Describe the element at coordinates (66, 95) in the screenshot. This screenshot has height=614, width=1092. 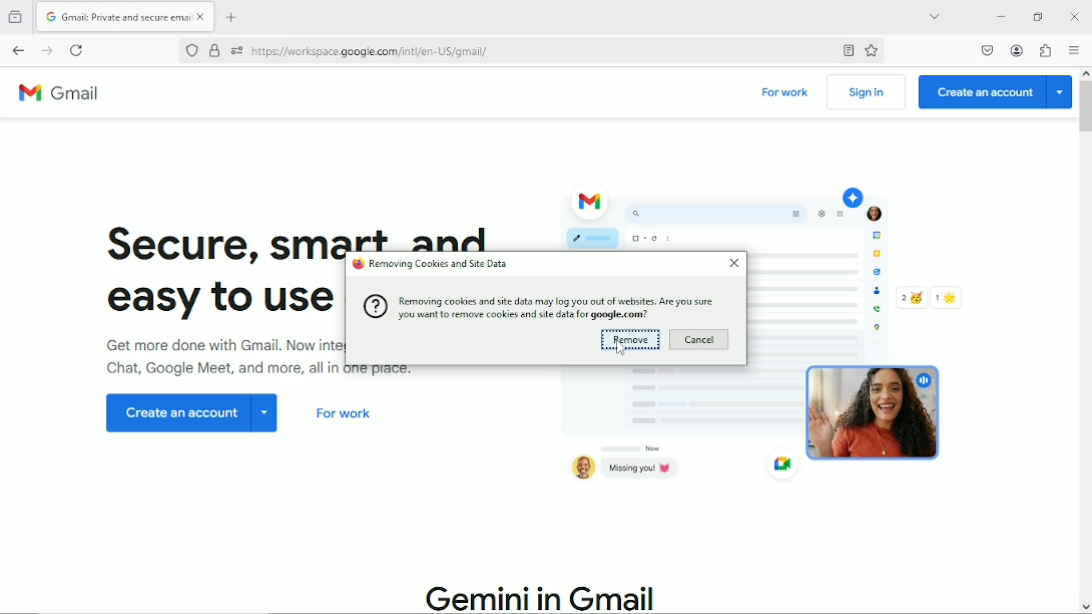
I see `Gmail` at that location.